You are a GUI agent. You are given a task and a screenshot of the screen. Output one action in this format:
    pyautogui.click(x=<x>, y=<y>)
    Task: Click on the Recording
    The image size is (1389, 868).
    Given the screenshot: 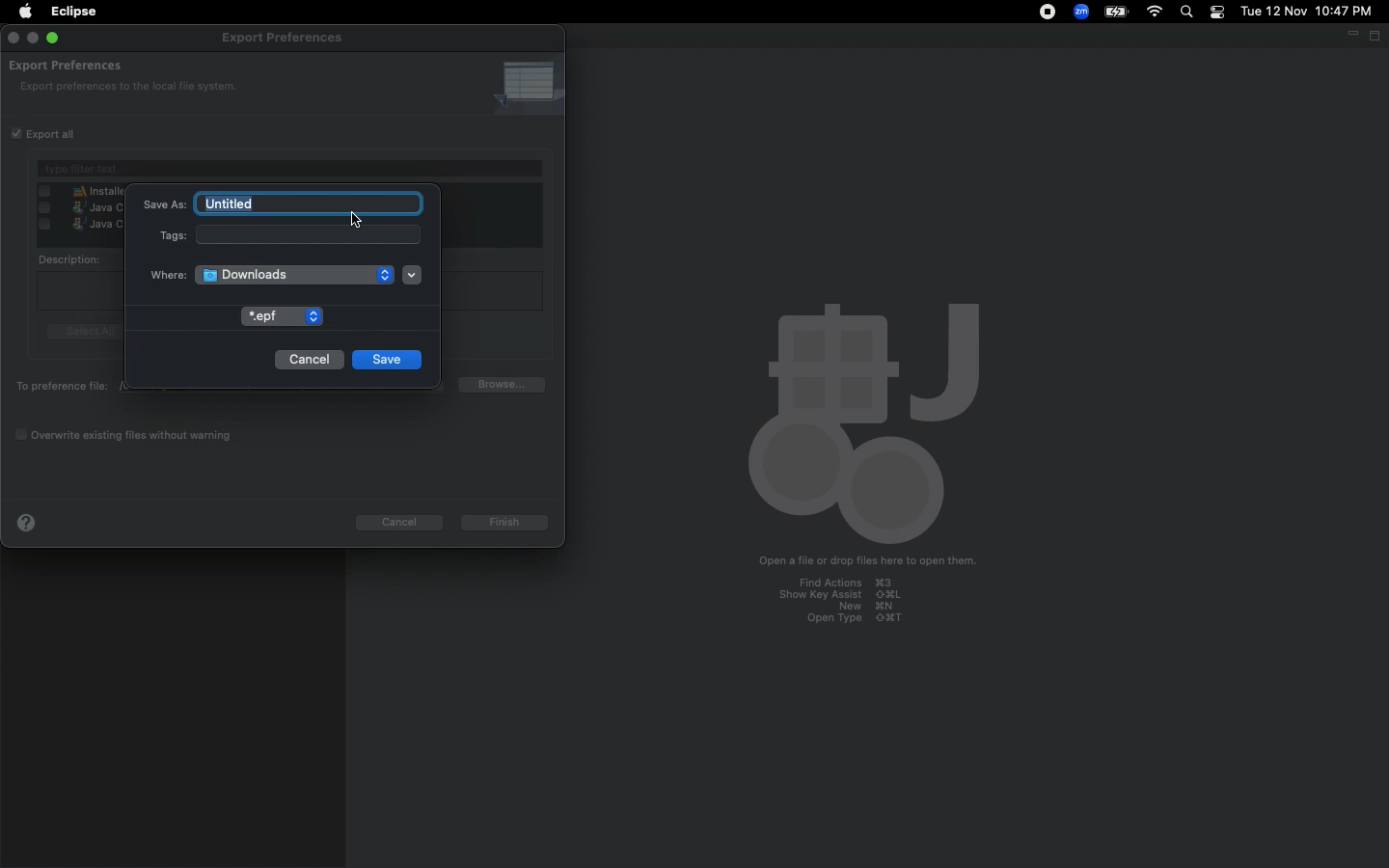 What is the action you would take?
    pyautogui.click(x=1049, y=14)
    